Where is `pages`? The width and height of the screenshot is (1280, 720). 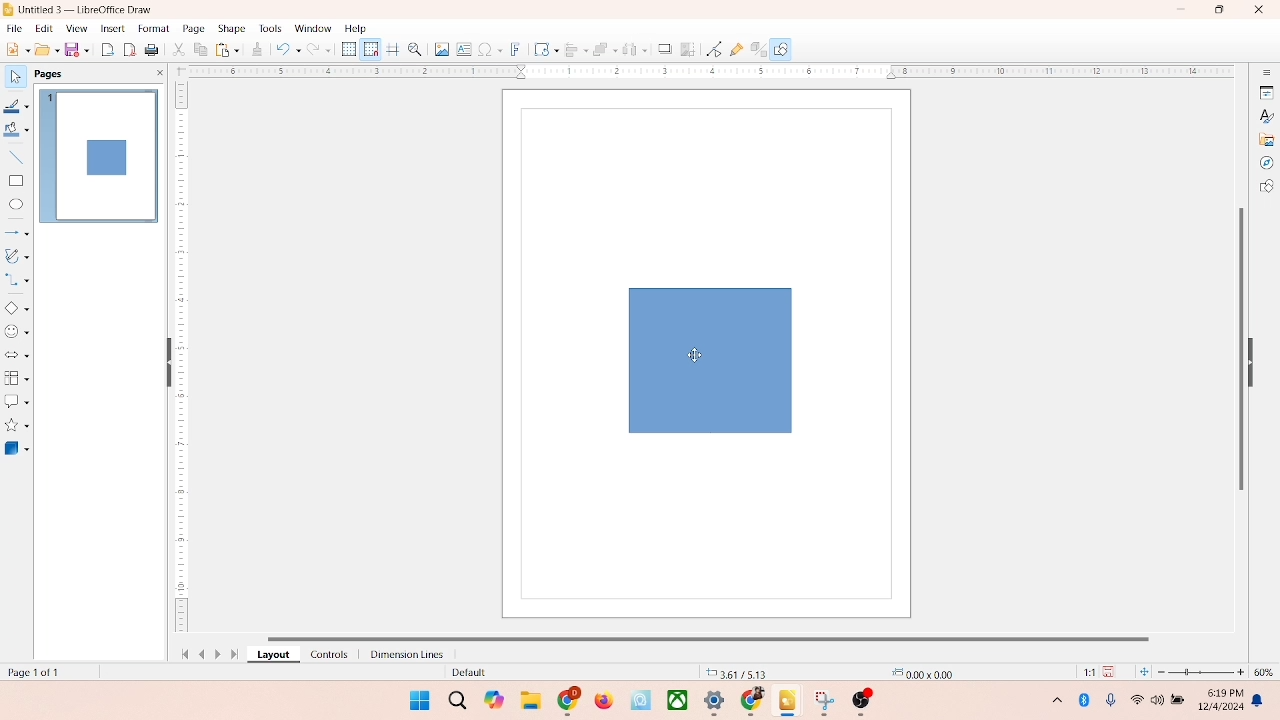
pages is located at coordinates (47, 72).